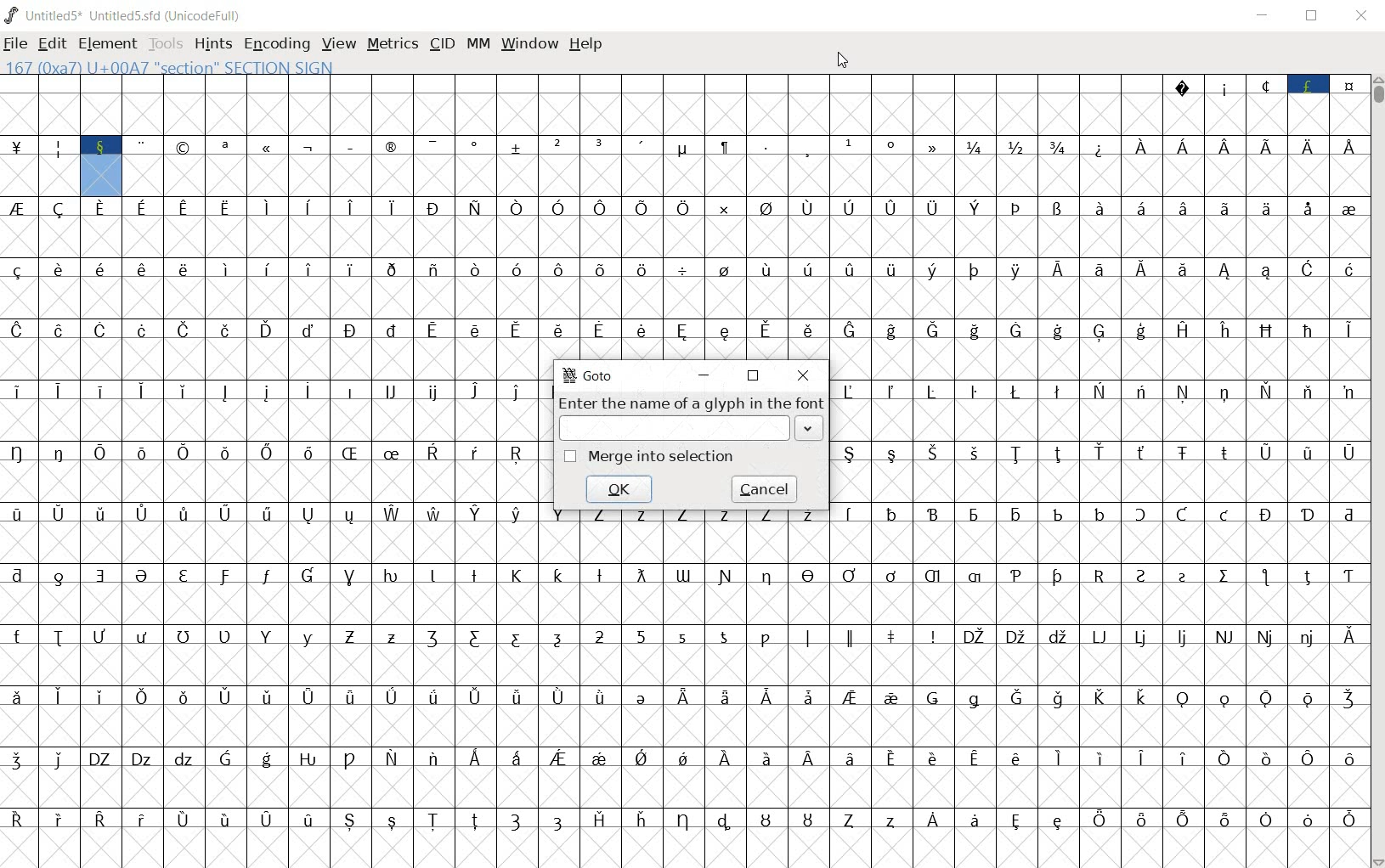 This screenshot has width=1385, height=868. I want to click on special alphabets, so click(682, 595).